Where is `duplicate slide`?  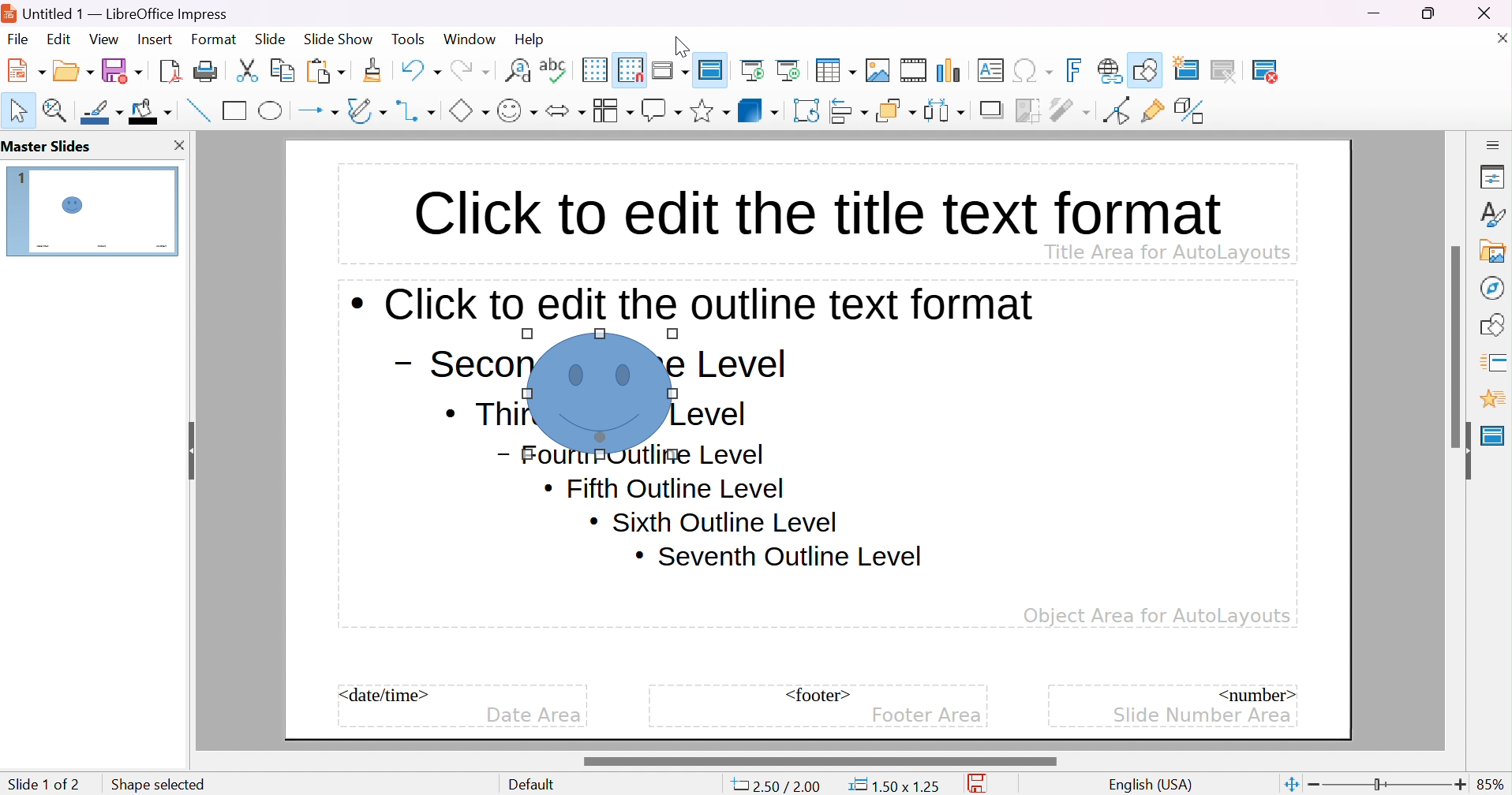 duplicate slide is located at coordinates (1235, 71).